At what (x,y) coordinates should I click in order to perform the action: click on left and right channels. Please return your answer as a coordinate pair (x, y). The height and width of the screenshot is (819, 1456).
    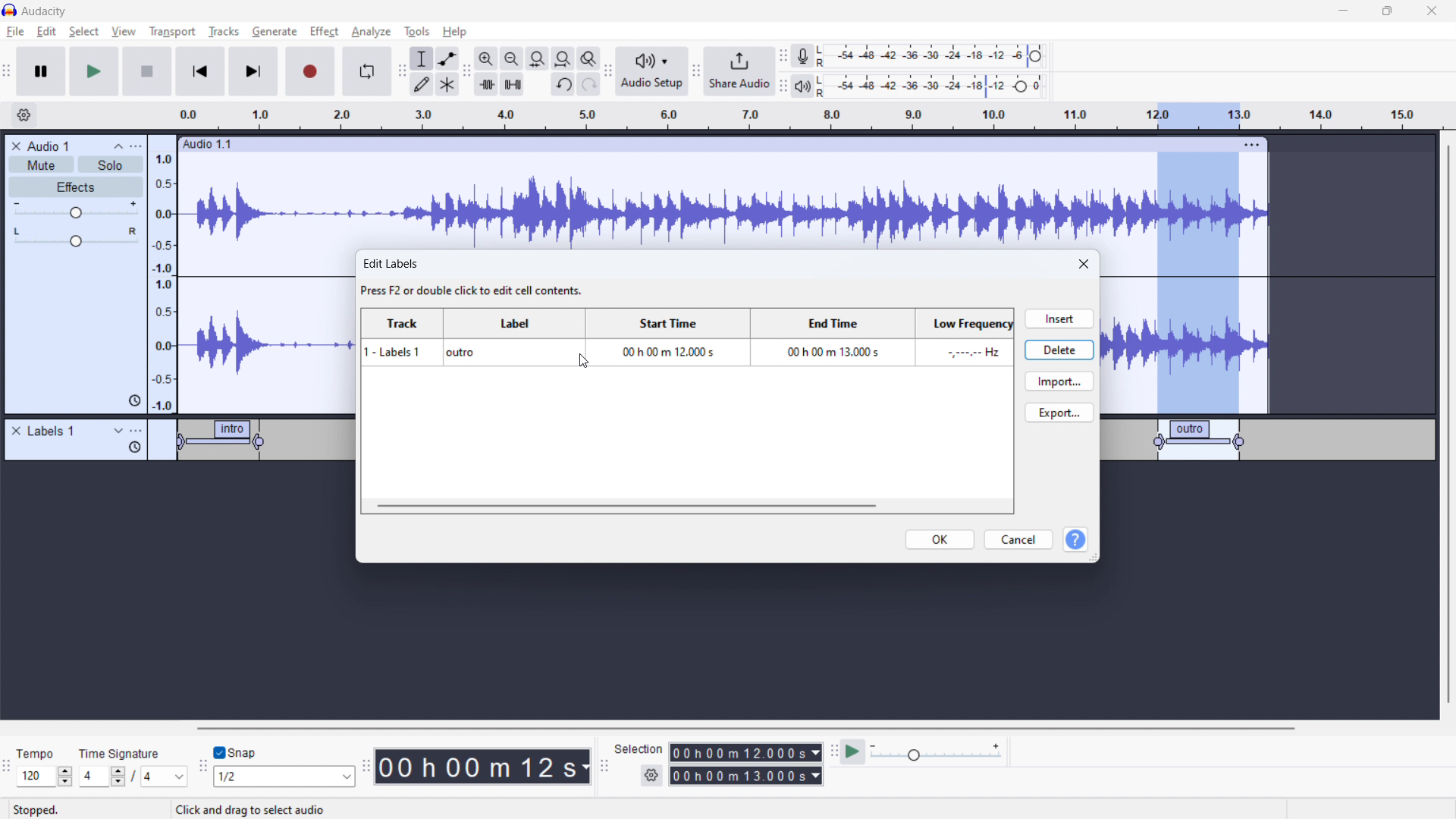
    Looking at the image, I should click on (824, 58).